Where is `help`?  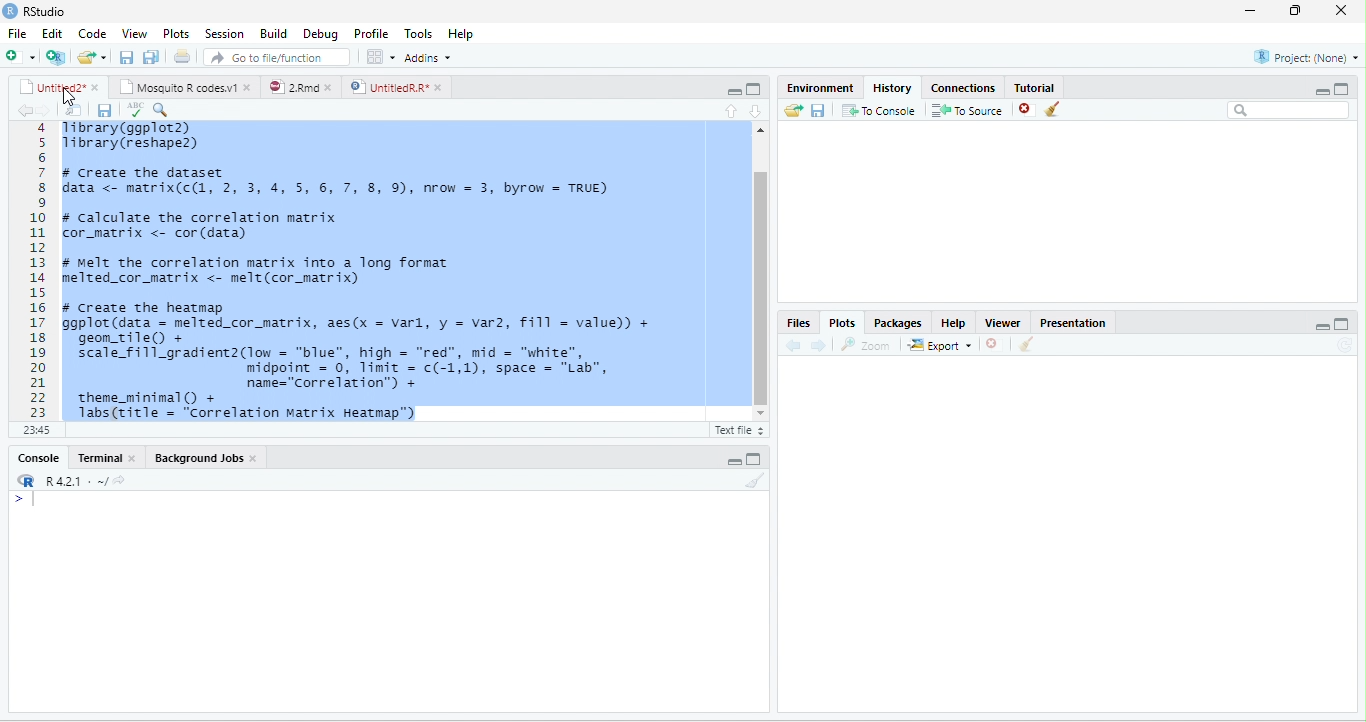 help is located at coordinates (468, 34).